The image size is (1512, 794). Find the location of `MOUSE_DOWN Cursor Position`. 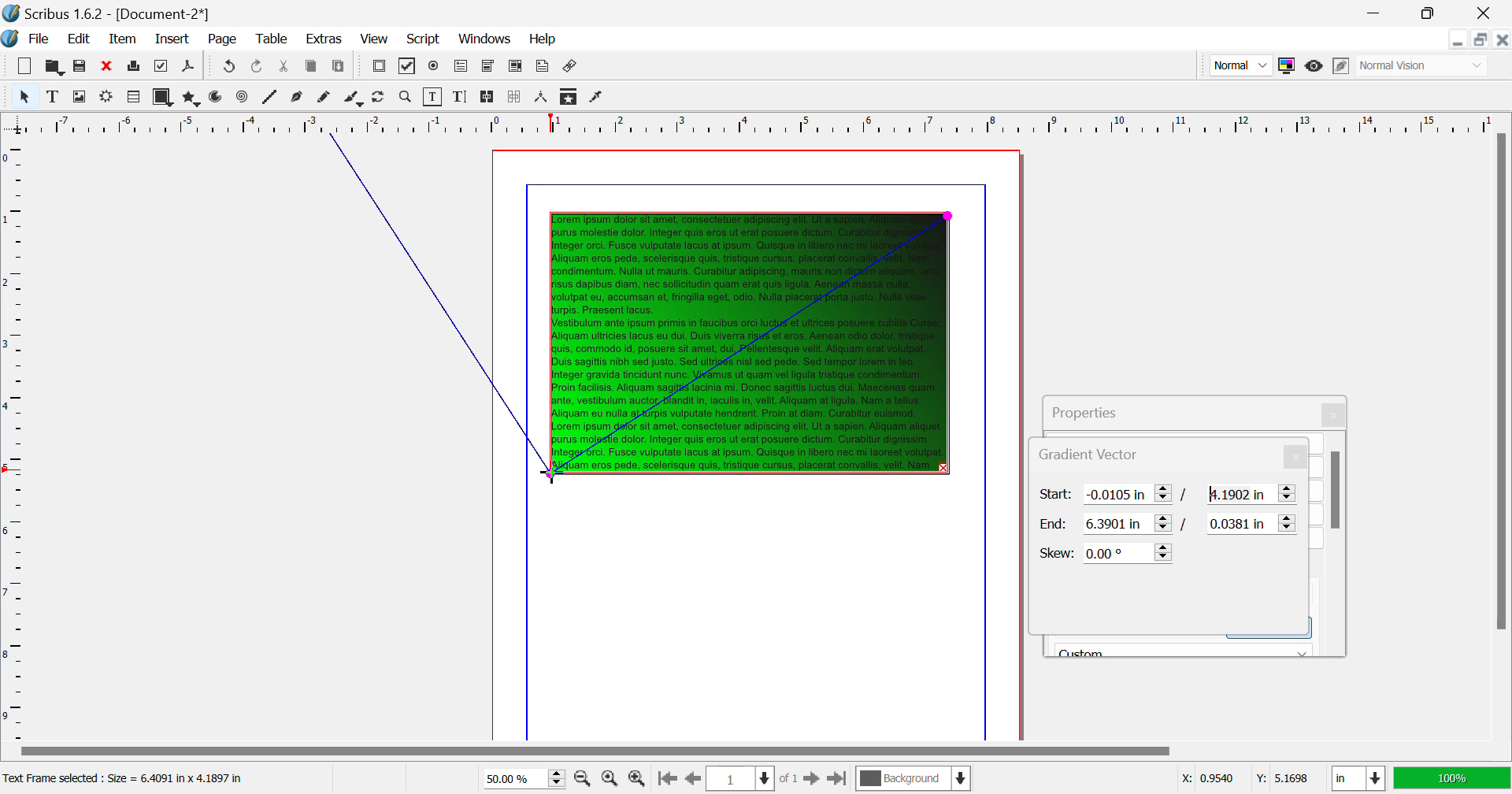

MOUSE_DOWN Cursor Position is located at coordinates (554, 473).